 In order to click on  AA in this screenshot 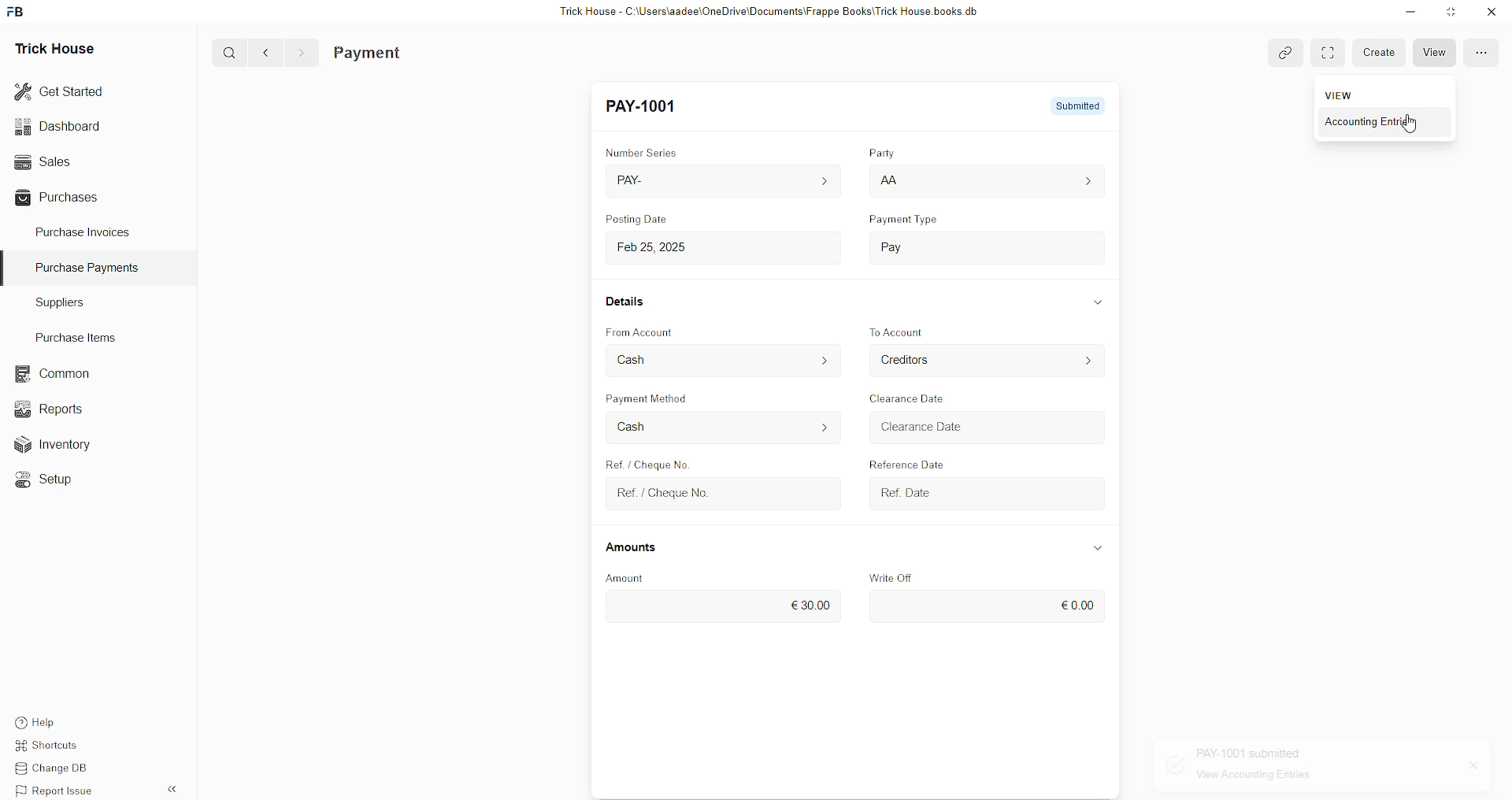, I will do `click(890, 182)`.